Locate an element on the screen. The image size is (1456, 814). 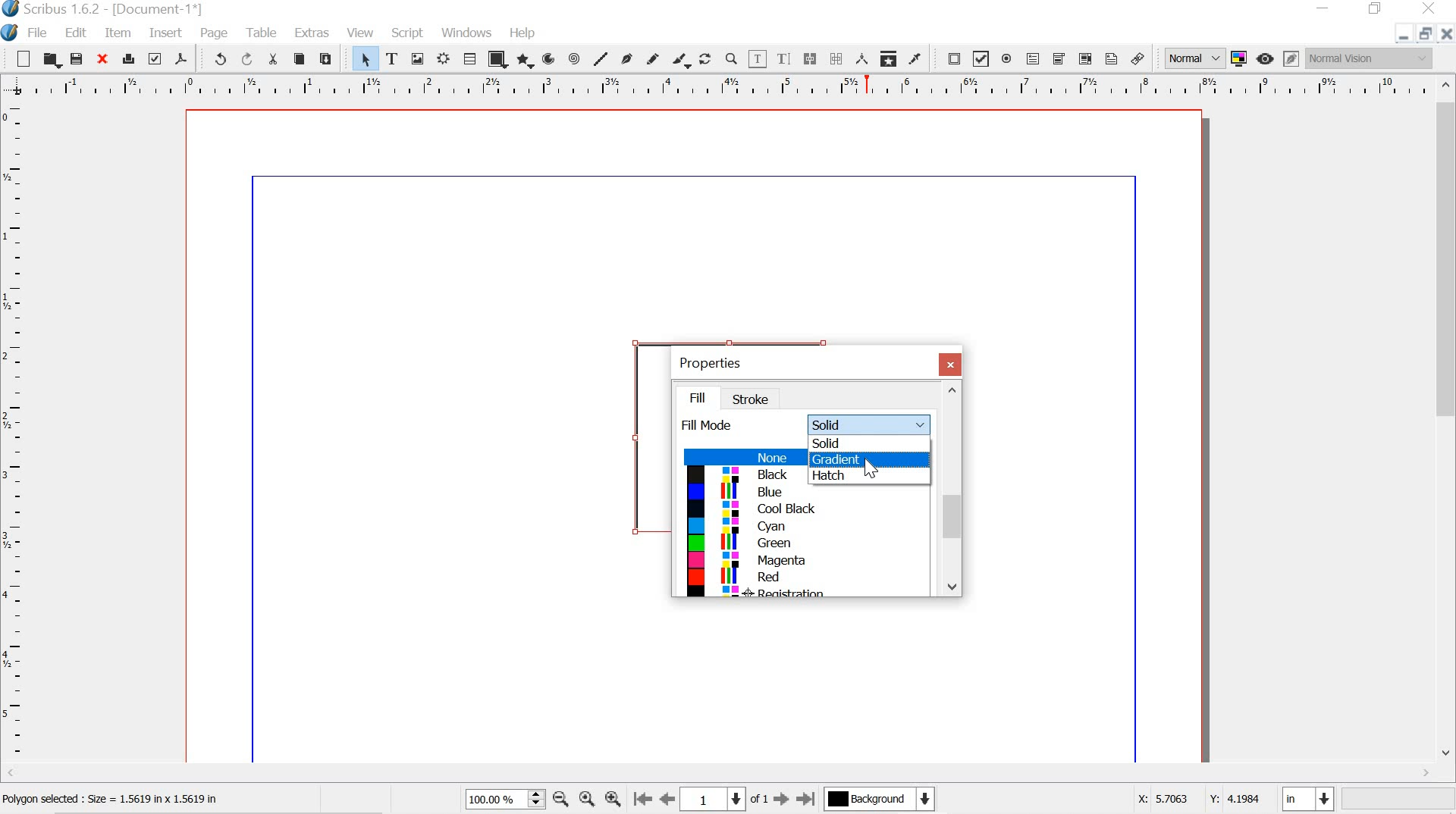
100.00 % is located at coordinates (492, 800).